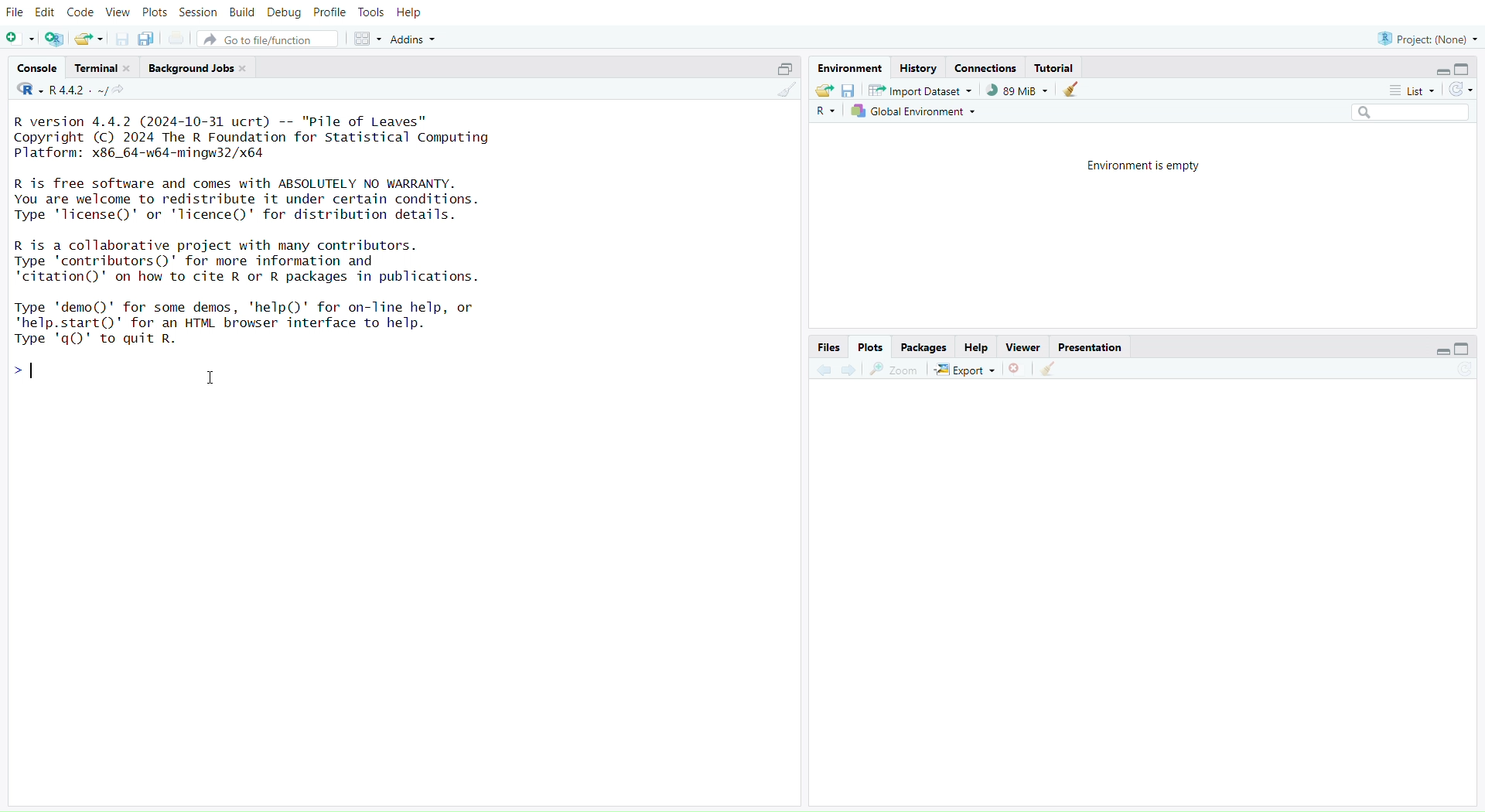  I want to click on Global environment, so click(917, 112).